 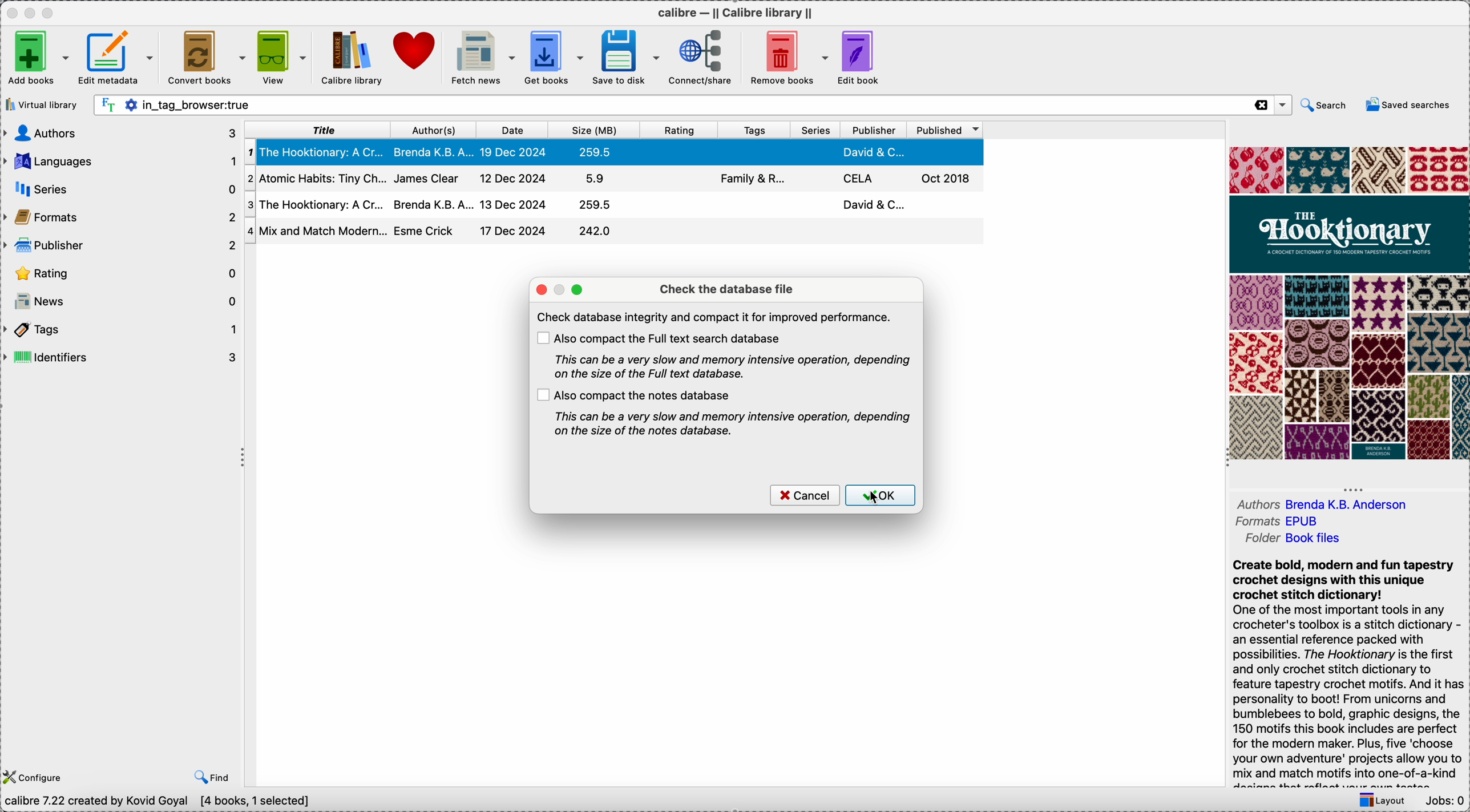 What do you see at coordinates (510, 130) in the screenshot?
I see `date` at bounding box center [510, 130].